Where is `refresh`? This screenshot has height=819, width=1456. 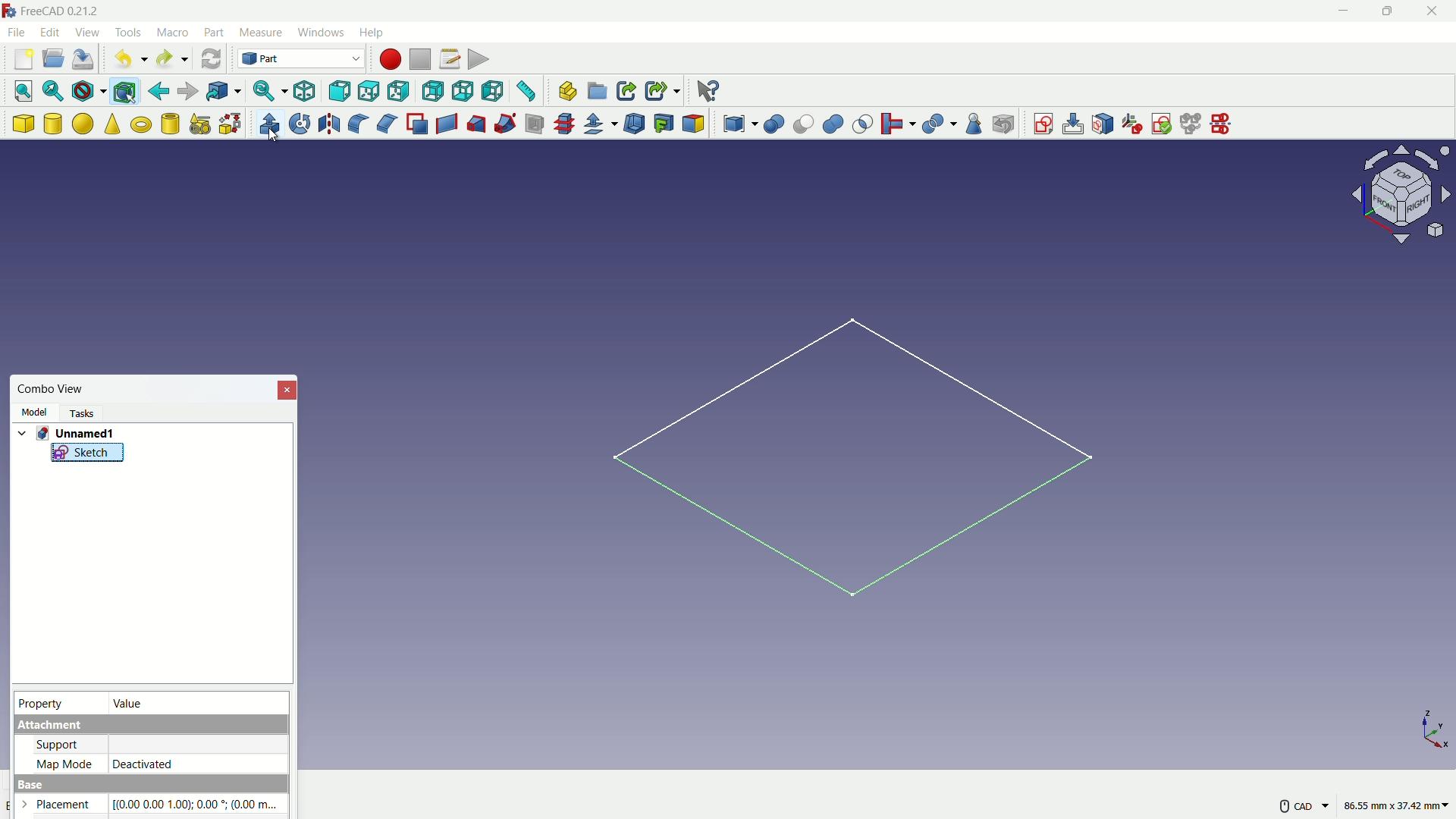 refresh is located at coordinates (210, 58).